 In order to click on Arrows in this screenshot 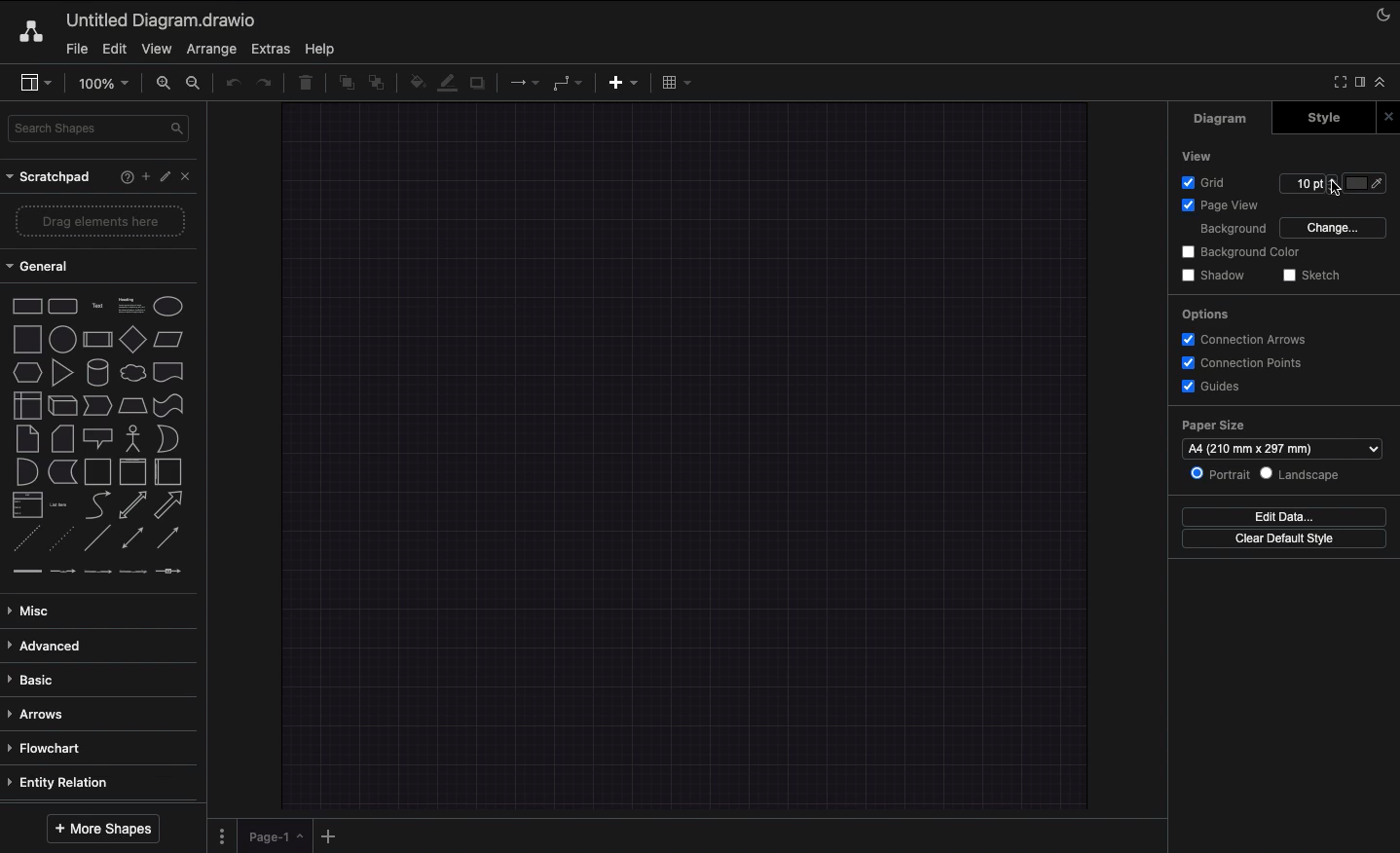, I will do `click(40, 714)`.